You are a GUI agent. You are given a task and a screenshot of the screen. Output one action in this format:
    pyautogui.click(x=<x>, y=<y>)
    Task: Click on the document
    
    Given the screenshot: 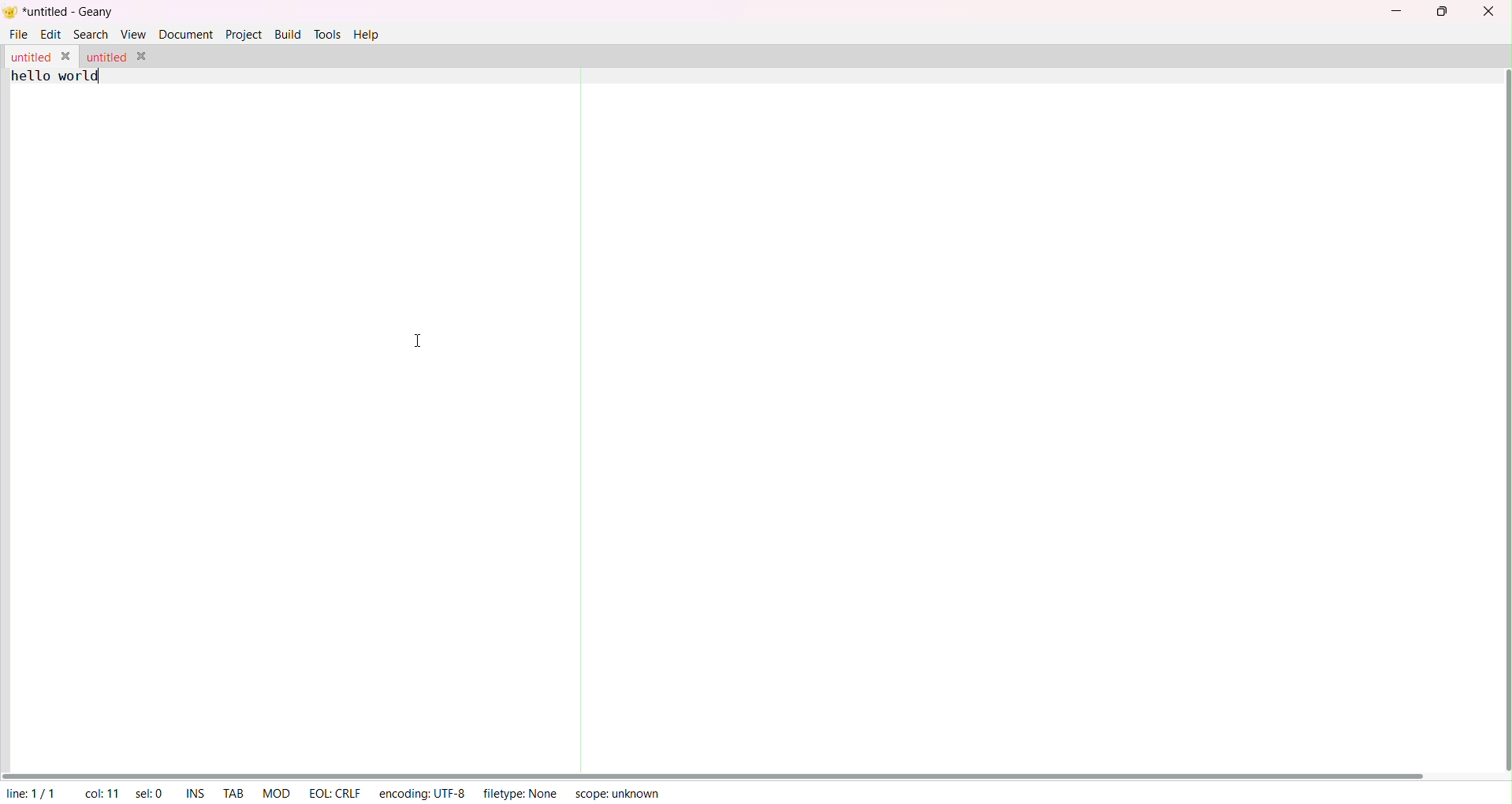 What is the action you would take?
    pyautogui.click(x=187, y=35)
    